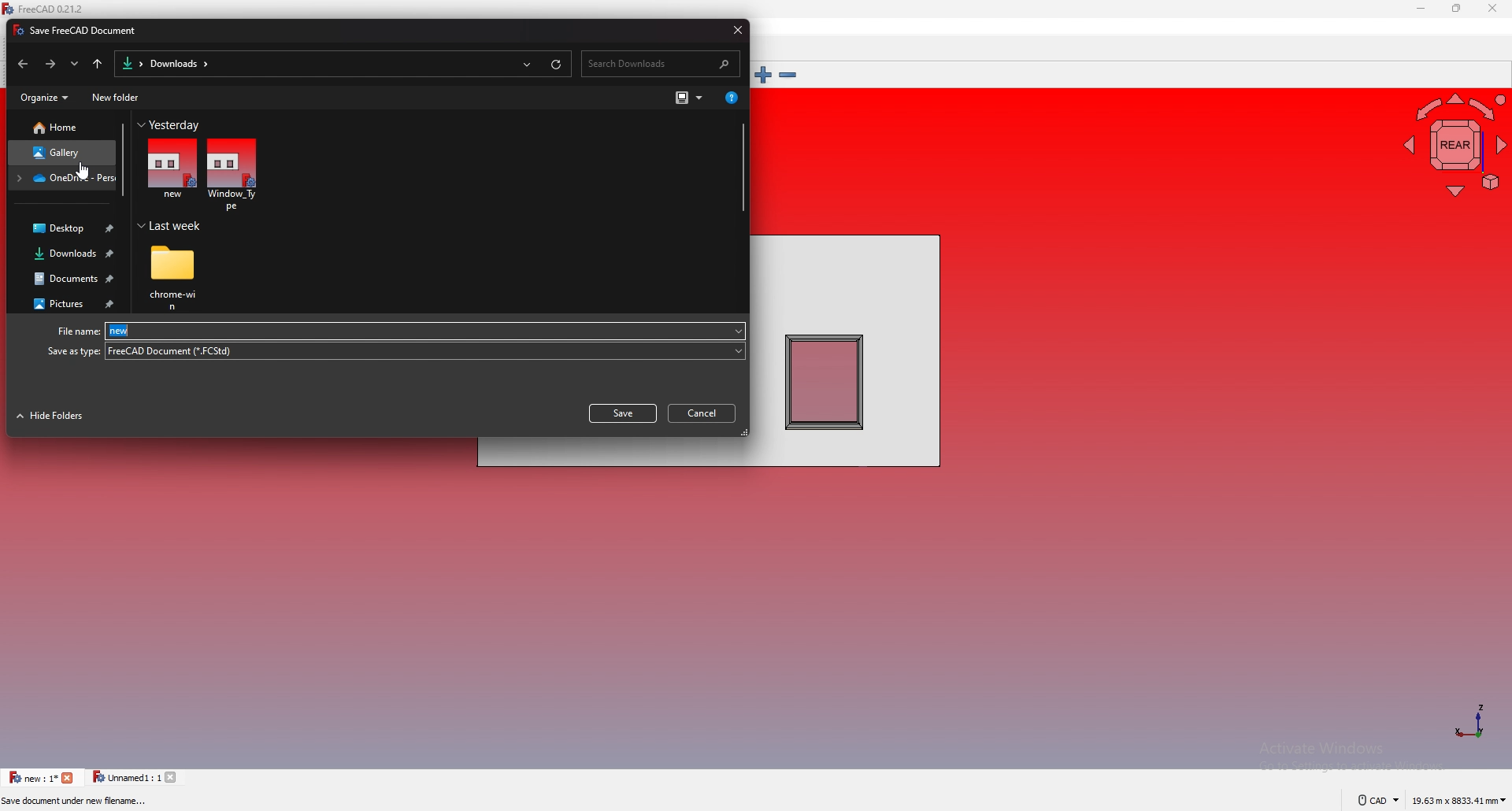 Image resolution: width=1512 pixels, height=811 pixels. I want to click on gallery, so click(63, 154).